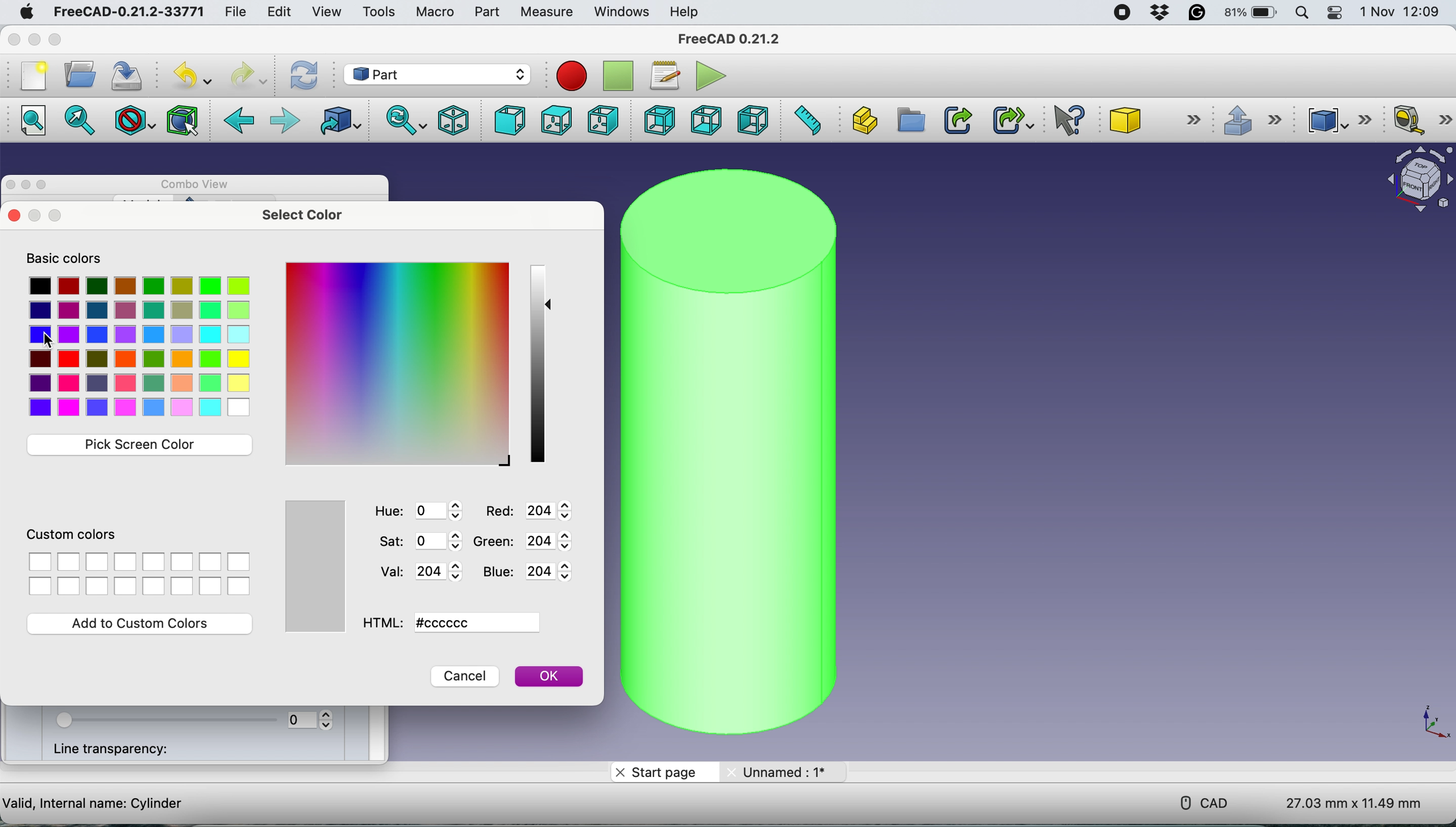  I want to click on cube, so click(1155, 118).